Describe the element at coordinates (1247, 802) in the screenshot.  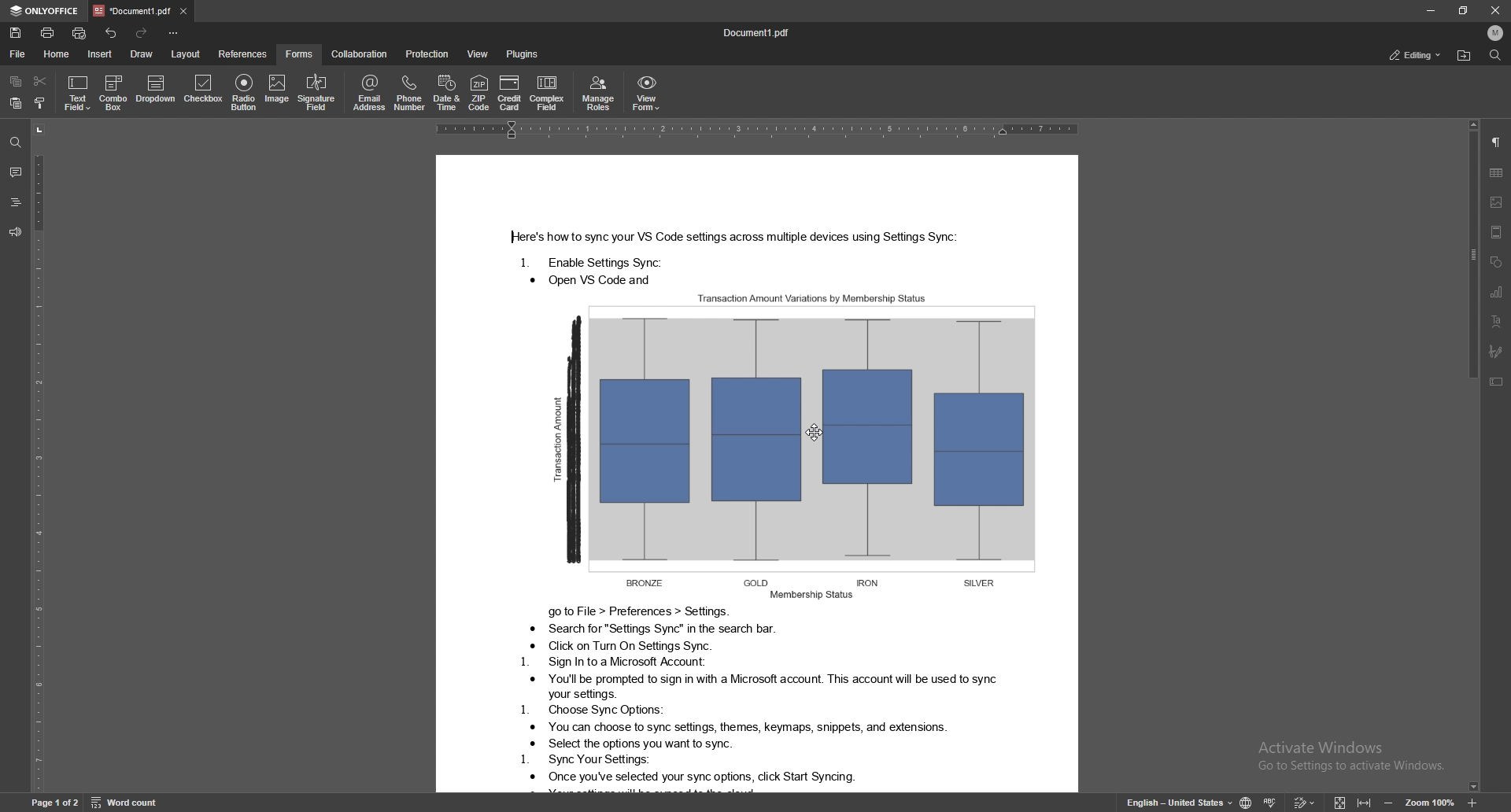
I see `change doc language` at that location.